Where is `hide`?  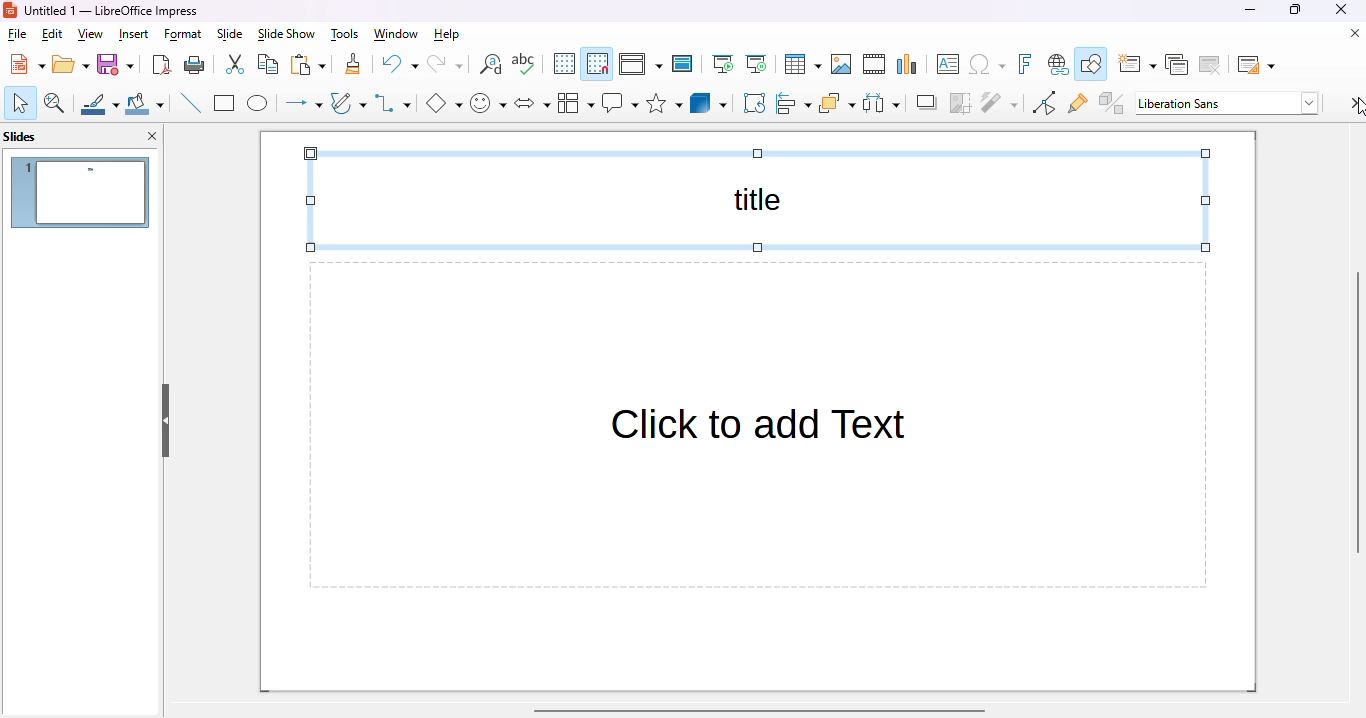
hide is located at coordinates (166, 420).